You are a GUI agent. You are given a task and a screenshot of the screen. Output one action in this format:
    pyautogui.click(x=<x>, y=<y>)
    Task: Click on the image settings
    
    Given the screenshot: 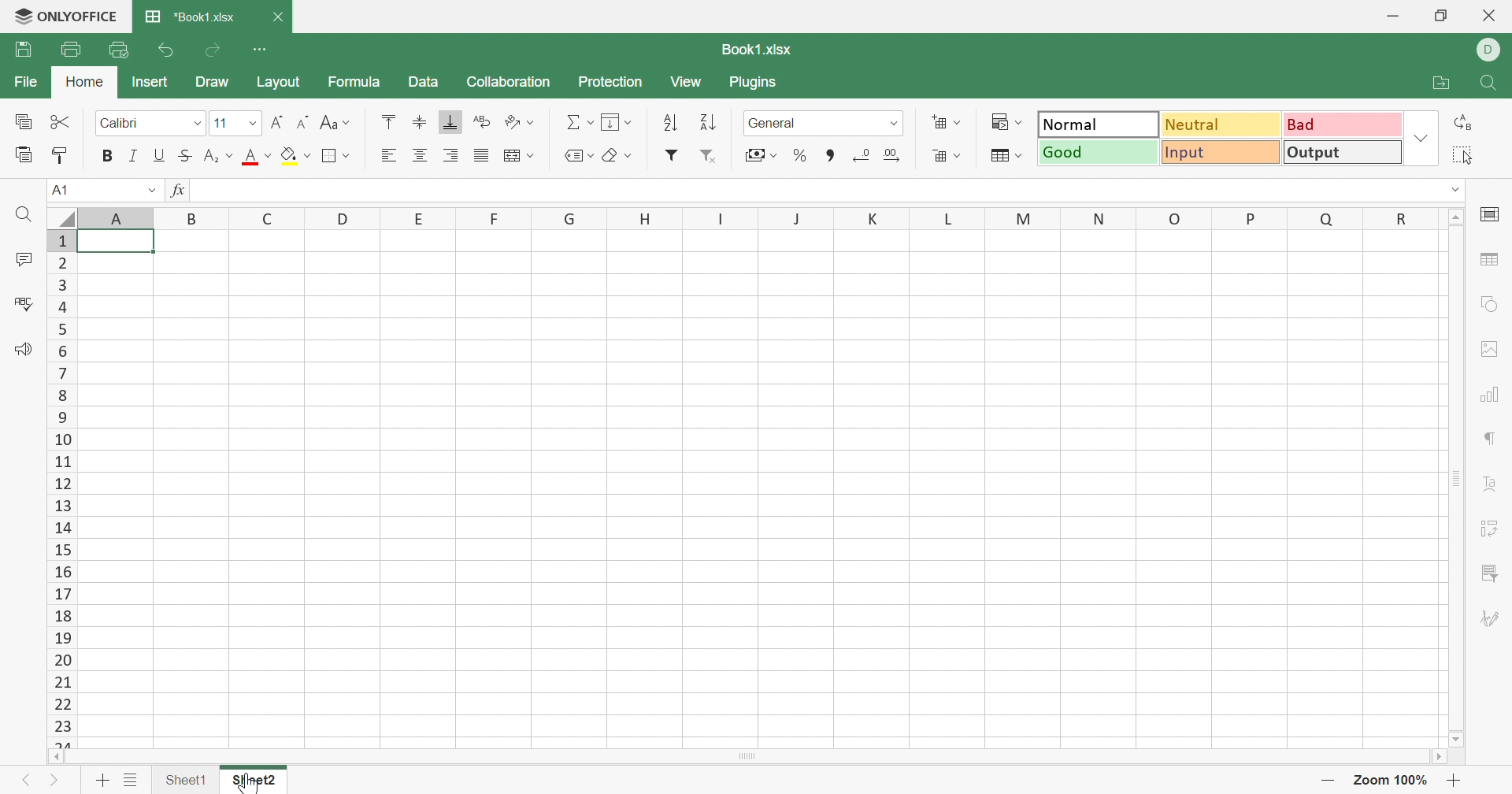 What is the action you would take?
    pyautogui.click(x=1494, y=347)
    